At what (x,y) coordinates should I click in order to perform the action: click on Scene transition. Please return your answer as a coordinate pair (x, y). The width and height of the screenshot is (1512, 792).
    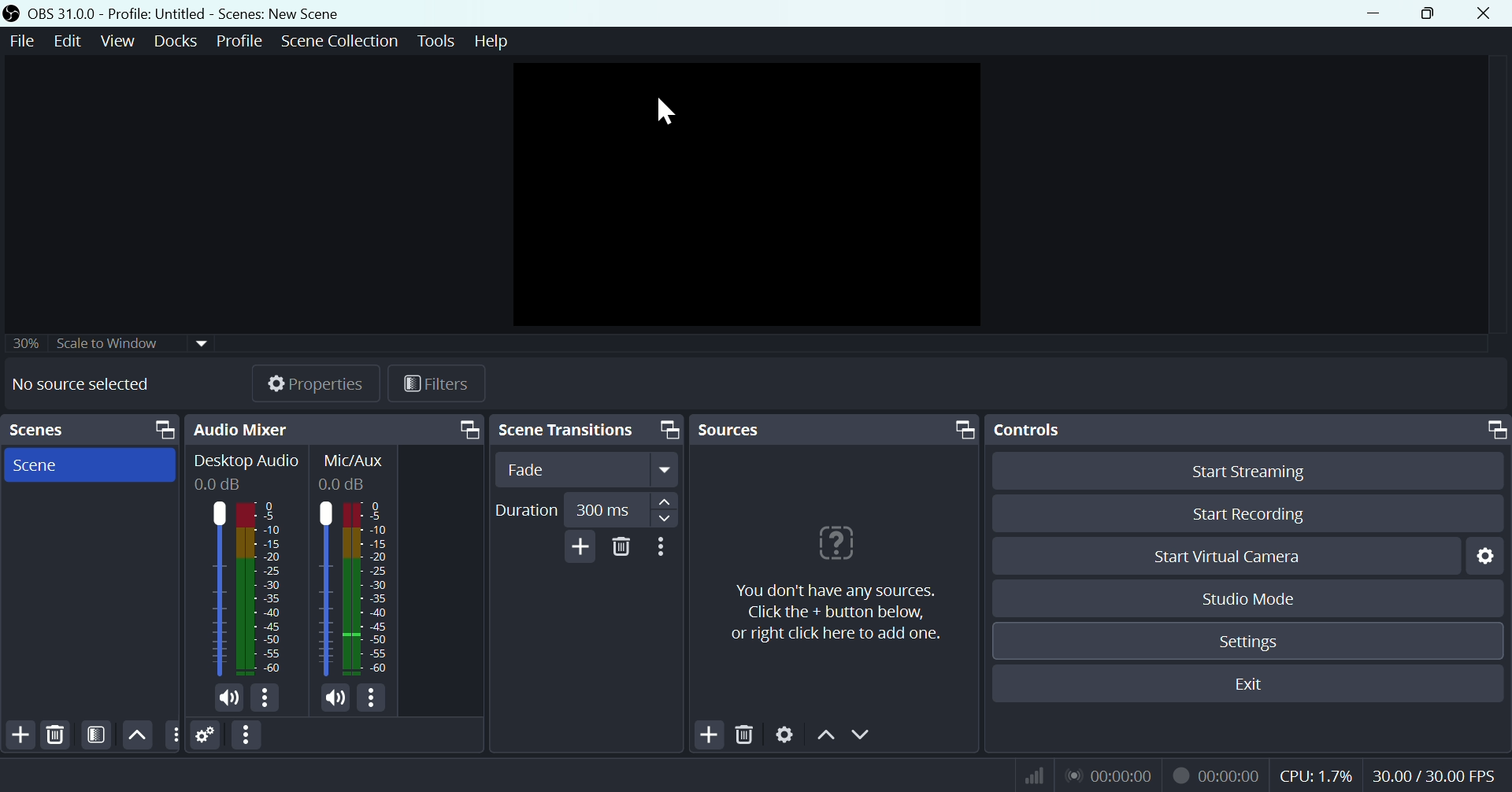
    Looking at the image, I should click on (591, 428).